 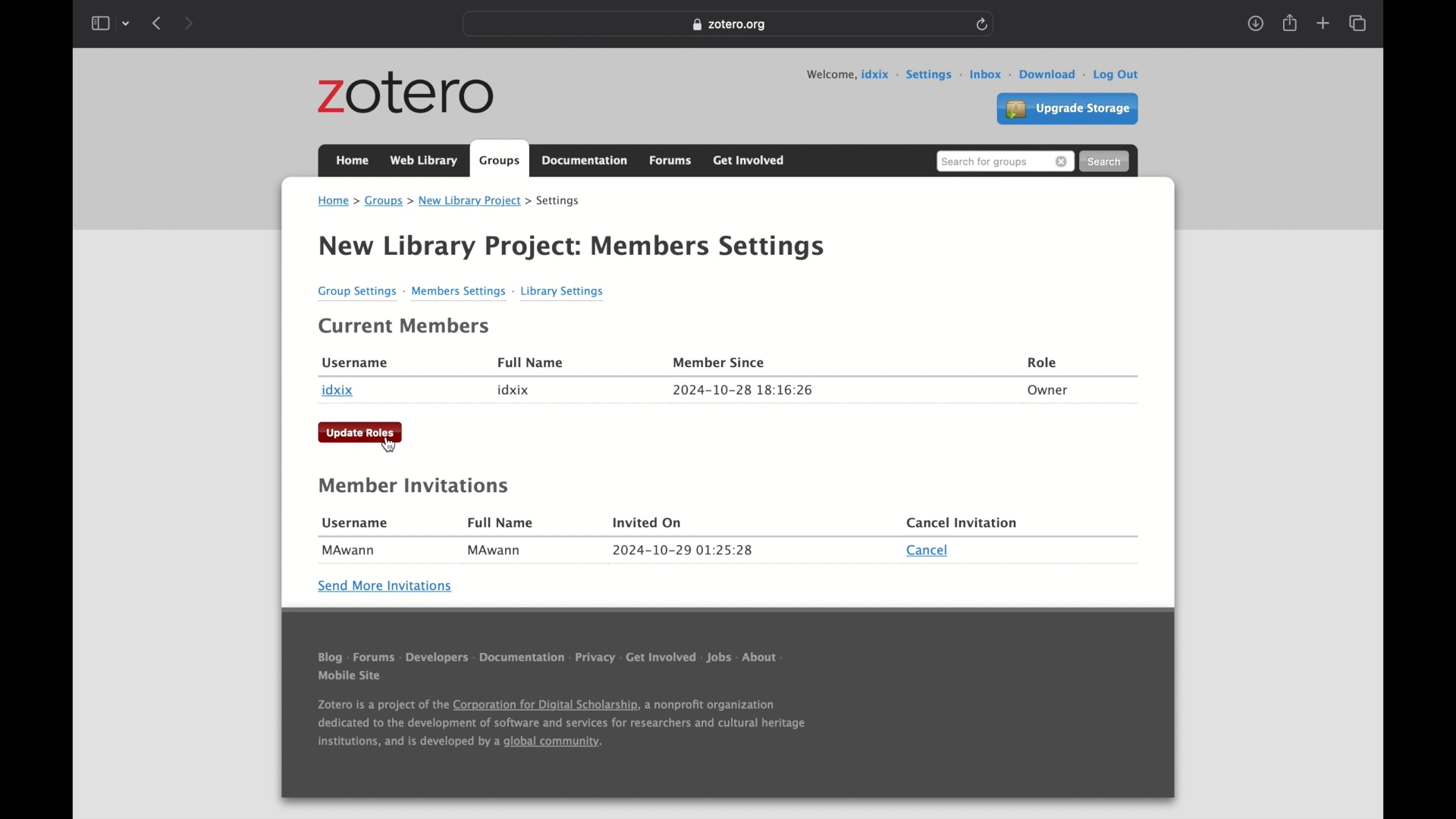 What do you see at coordinates (513, 390) in the screenshot?
I see `idxix` at bounding box center [513, 390].